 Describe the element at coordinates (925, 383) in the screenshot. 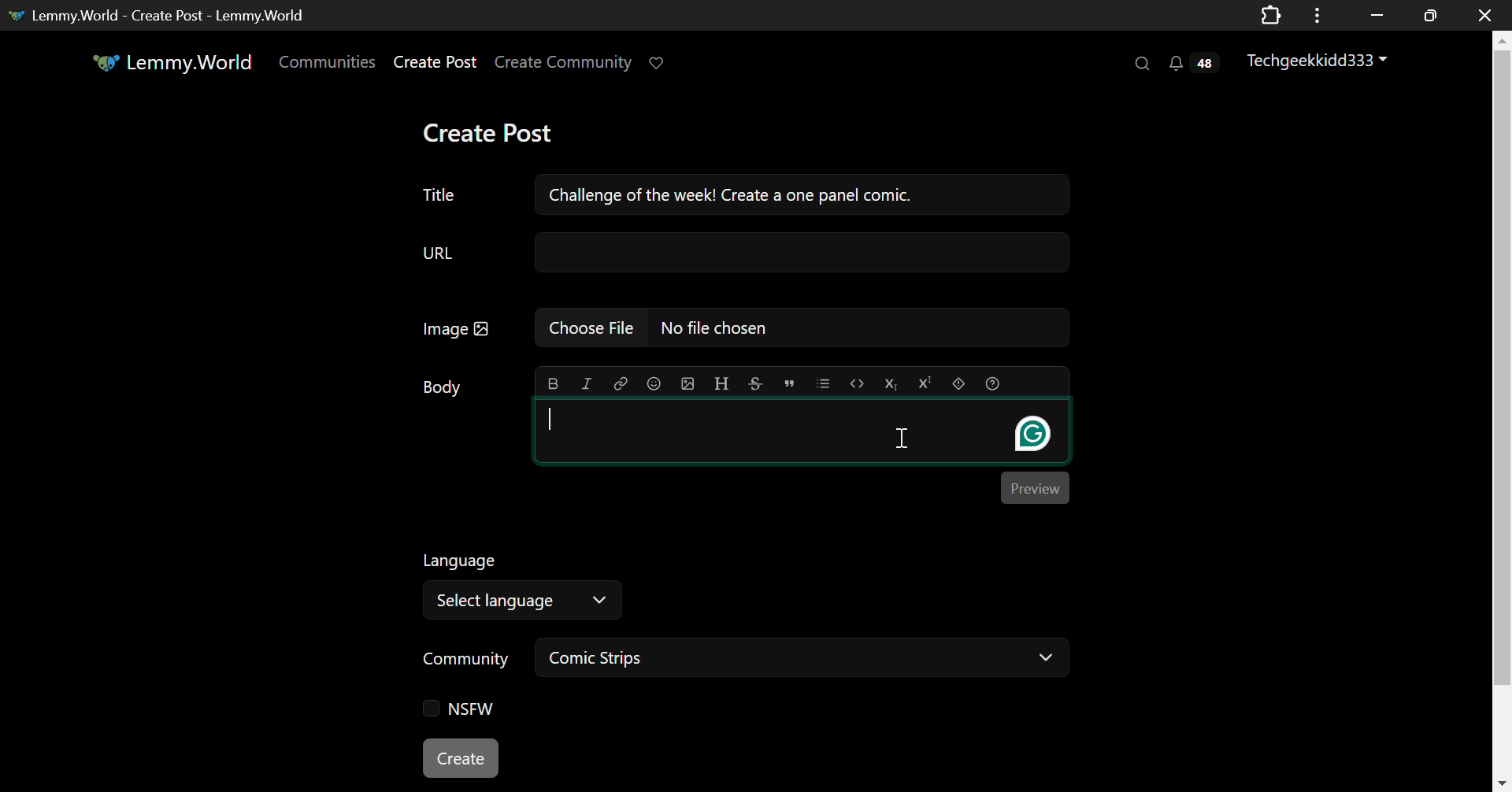

I see `Superscript` at that location.